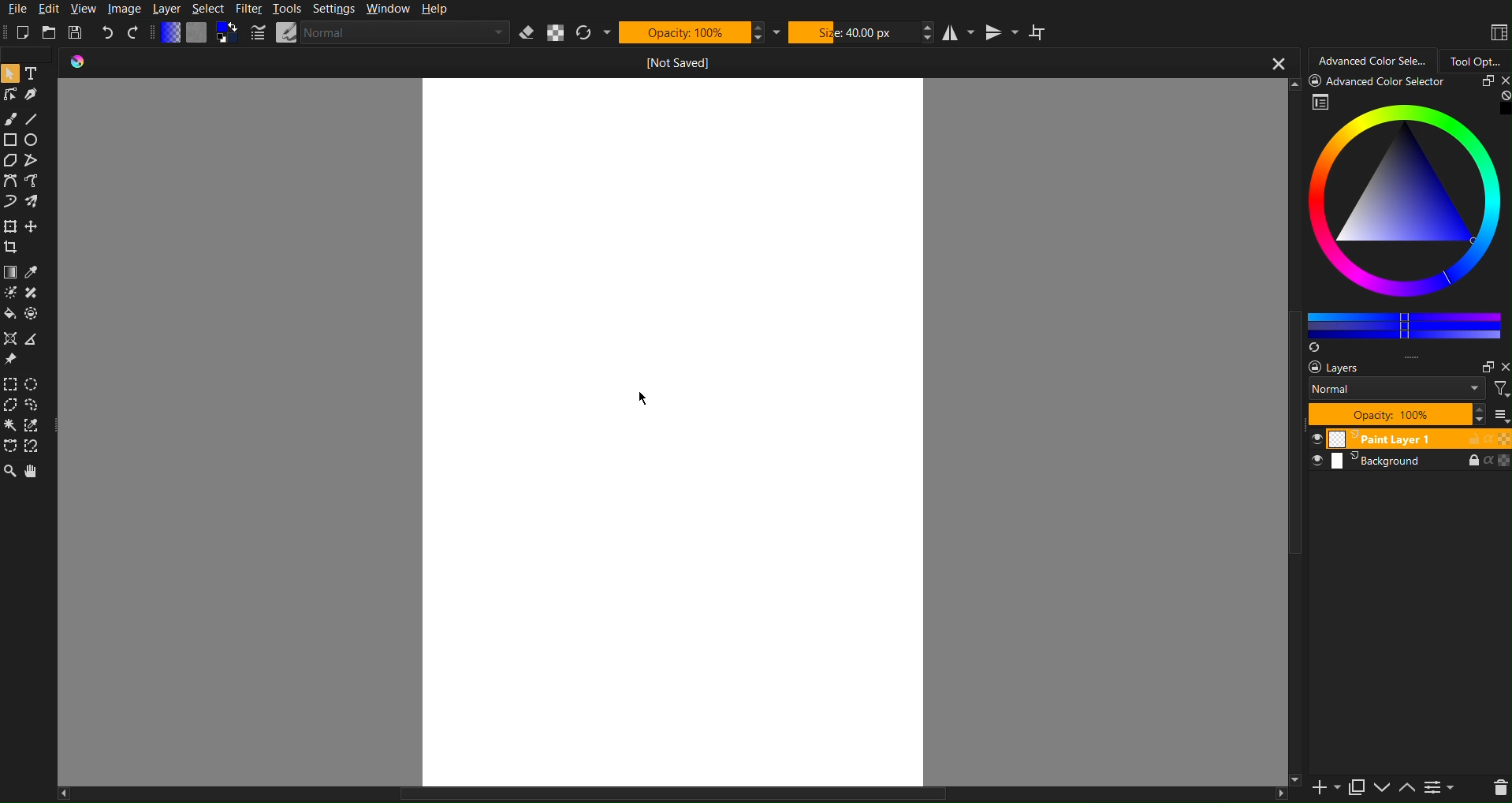 The image size is (1512, 803). Describe the element at coordinates (24, 32) in the screenshot. I see `New` at that location.